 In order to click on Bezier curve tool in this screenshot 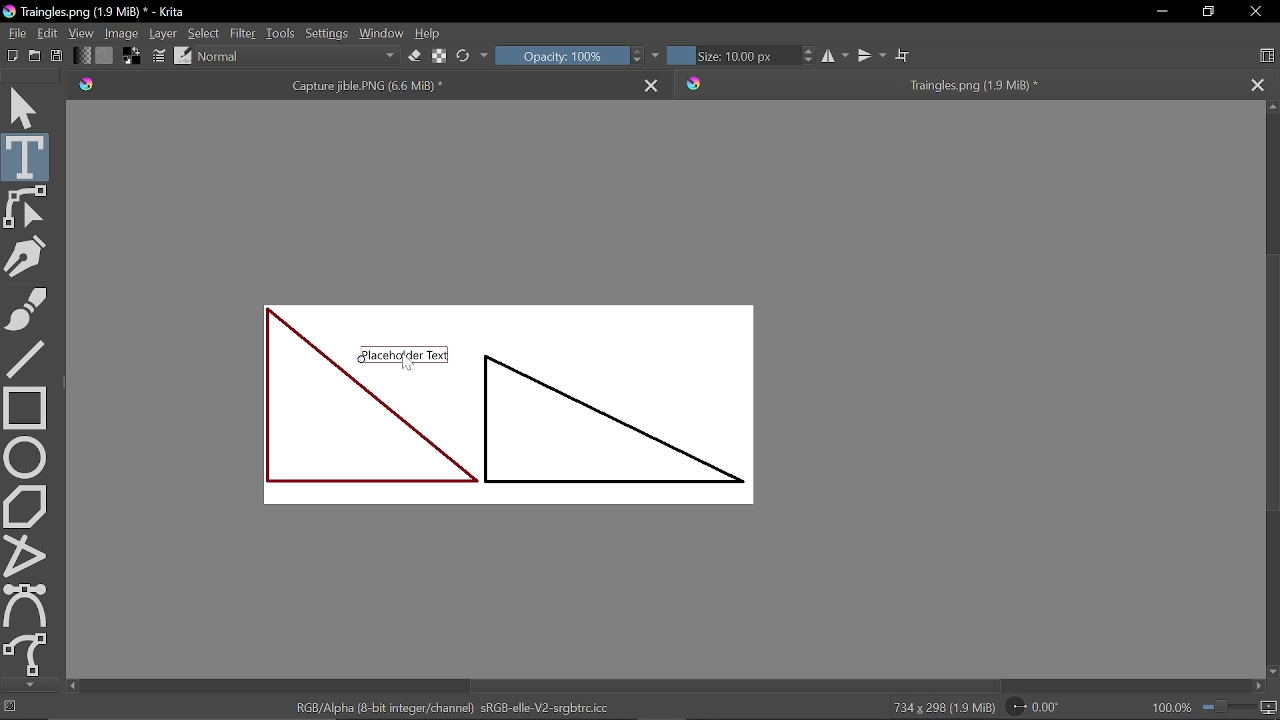, I will do `click(26, 603)`.